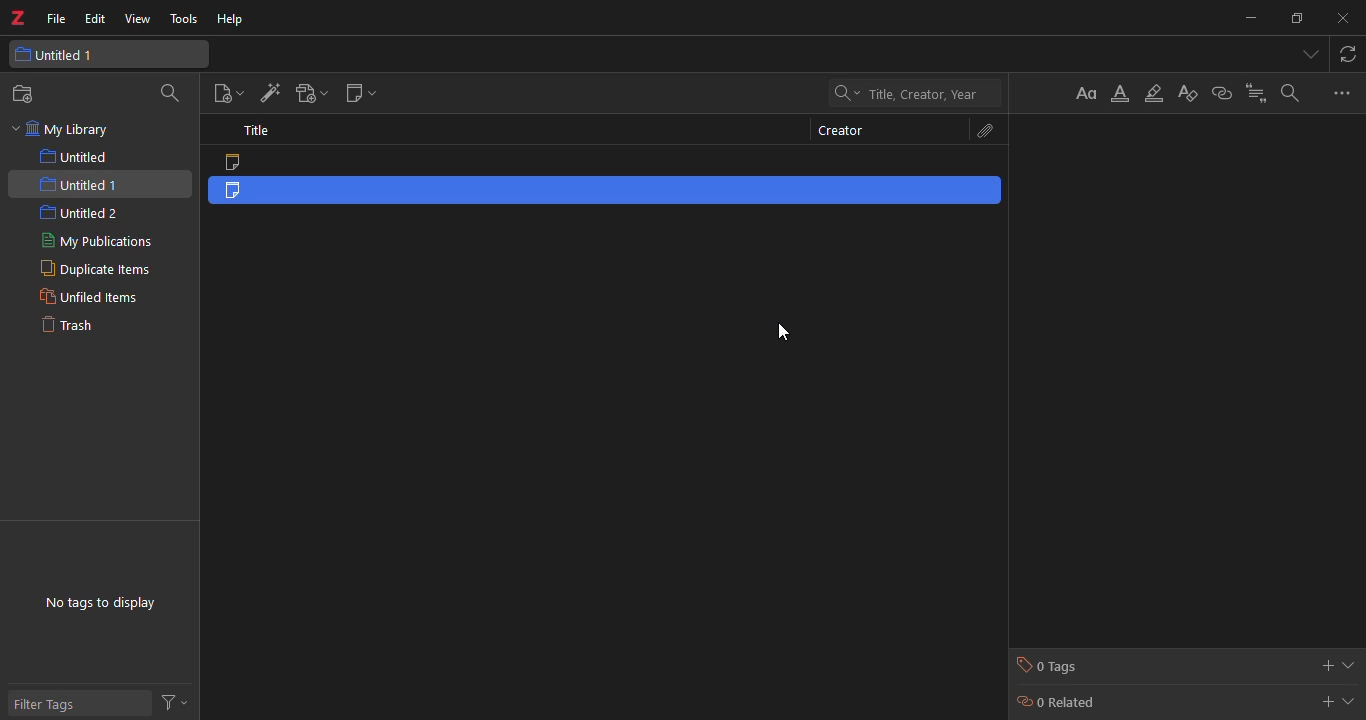 This screenshot has height=720, width=1366. I want to click on font color, so click(1116, 93).